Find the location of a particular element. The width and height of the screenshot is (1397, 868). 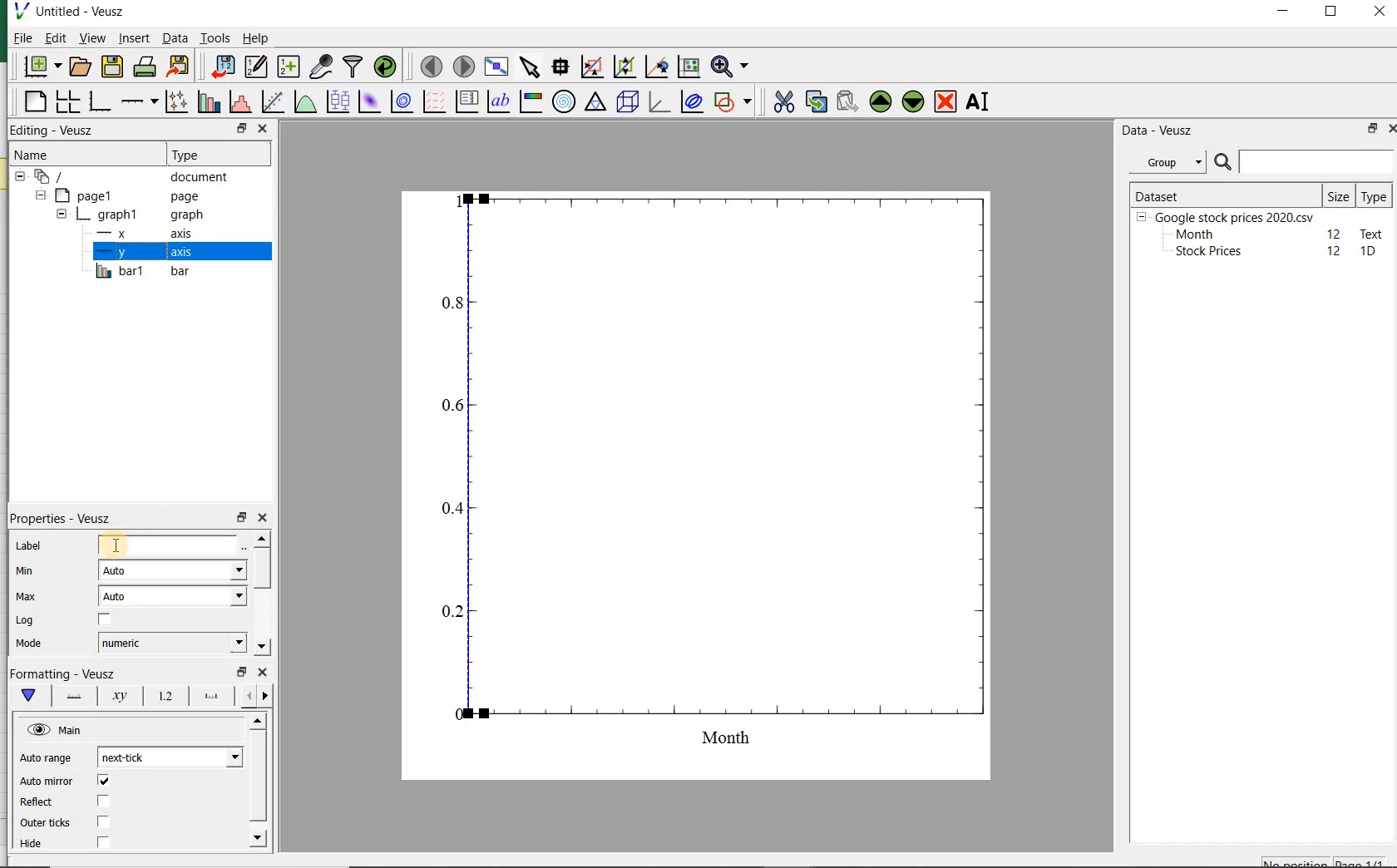

Google stock prices 2020.csv is located at coordinates (1228, 216).